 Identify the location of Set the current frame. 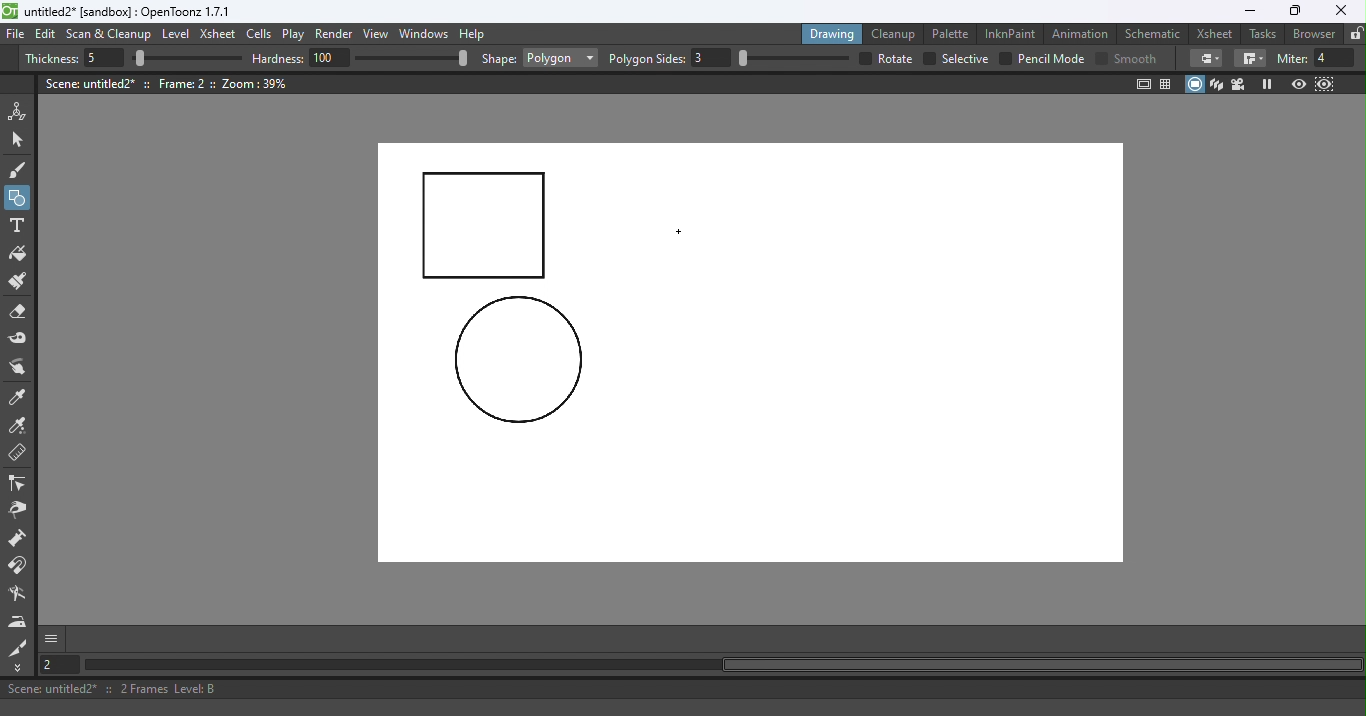
(57, 664).